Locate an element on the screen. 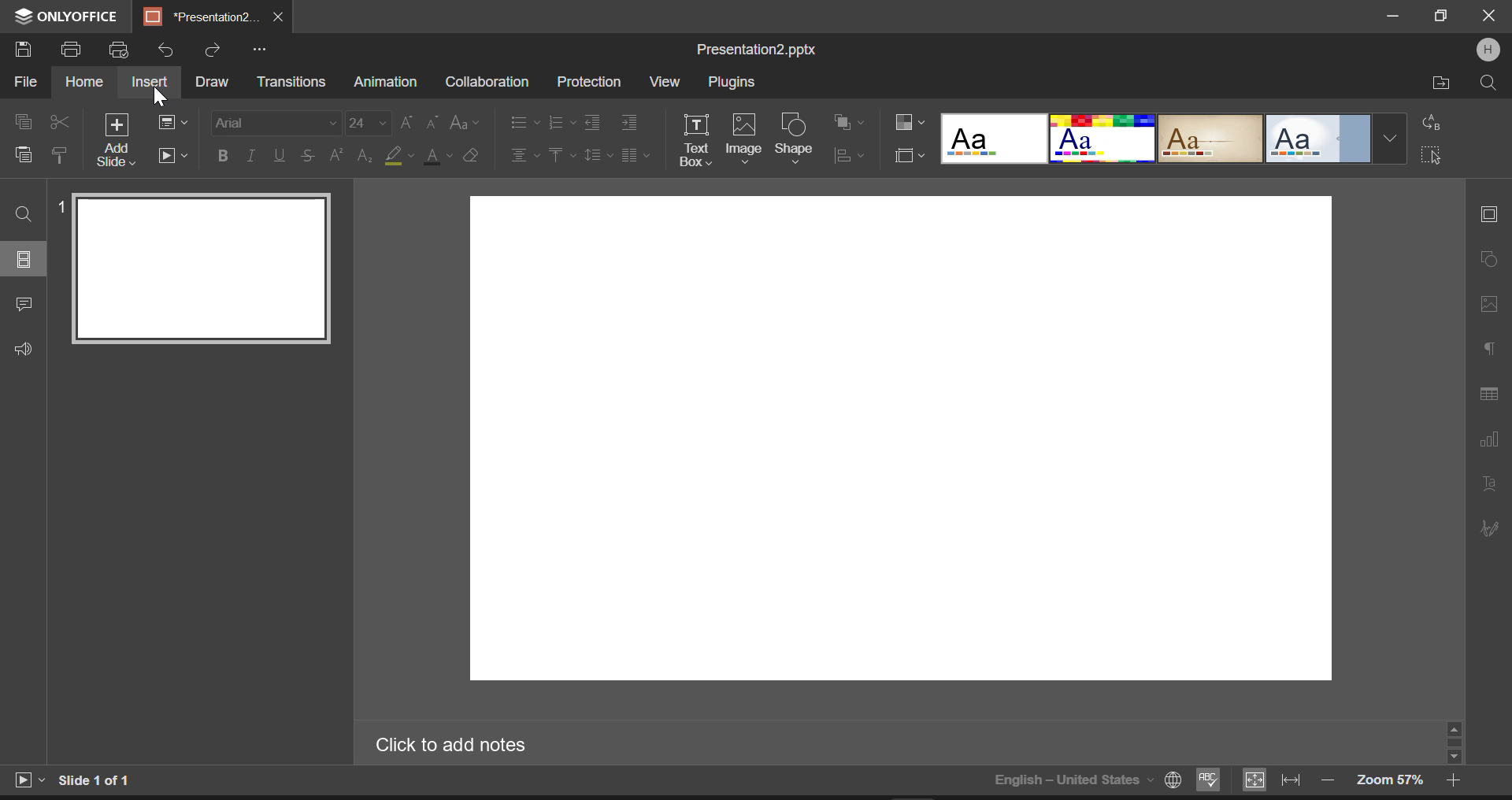 The image size is (1512, 800). Slide Settings is located at coordinates (1487, 213).